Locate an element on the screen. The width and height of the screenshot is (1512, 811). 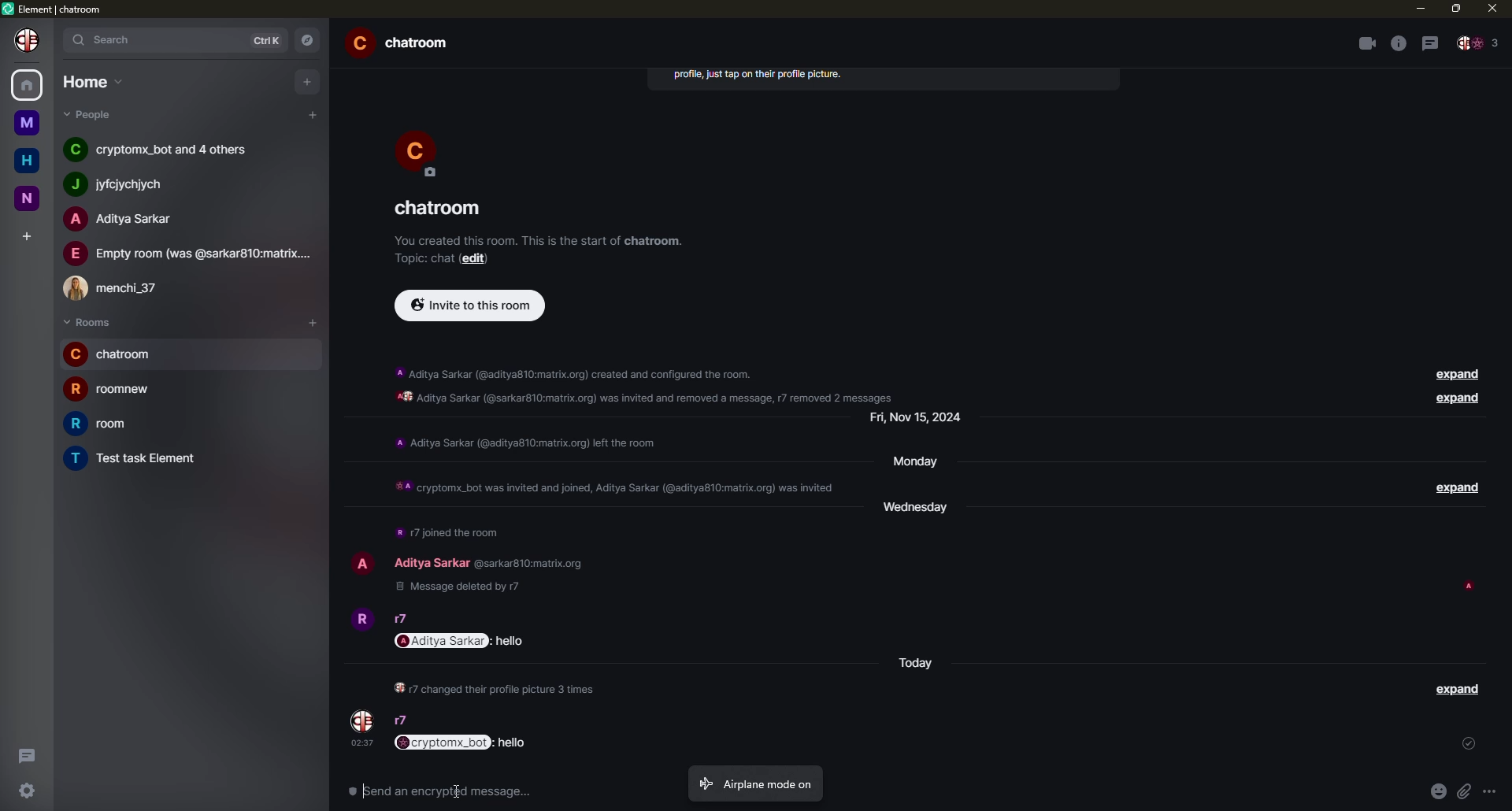
info is located at coordinates (447, 533).